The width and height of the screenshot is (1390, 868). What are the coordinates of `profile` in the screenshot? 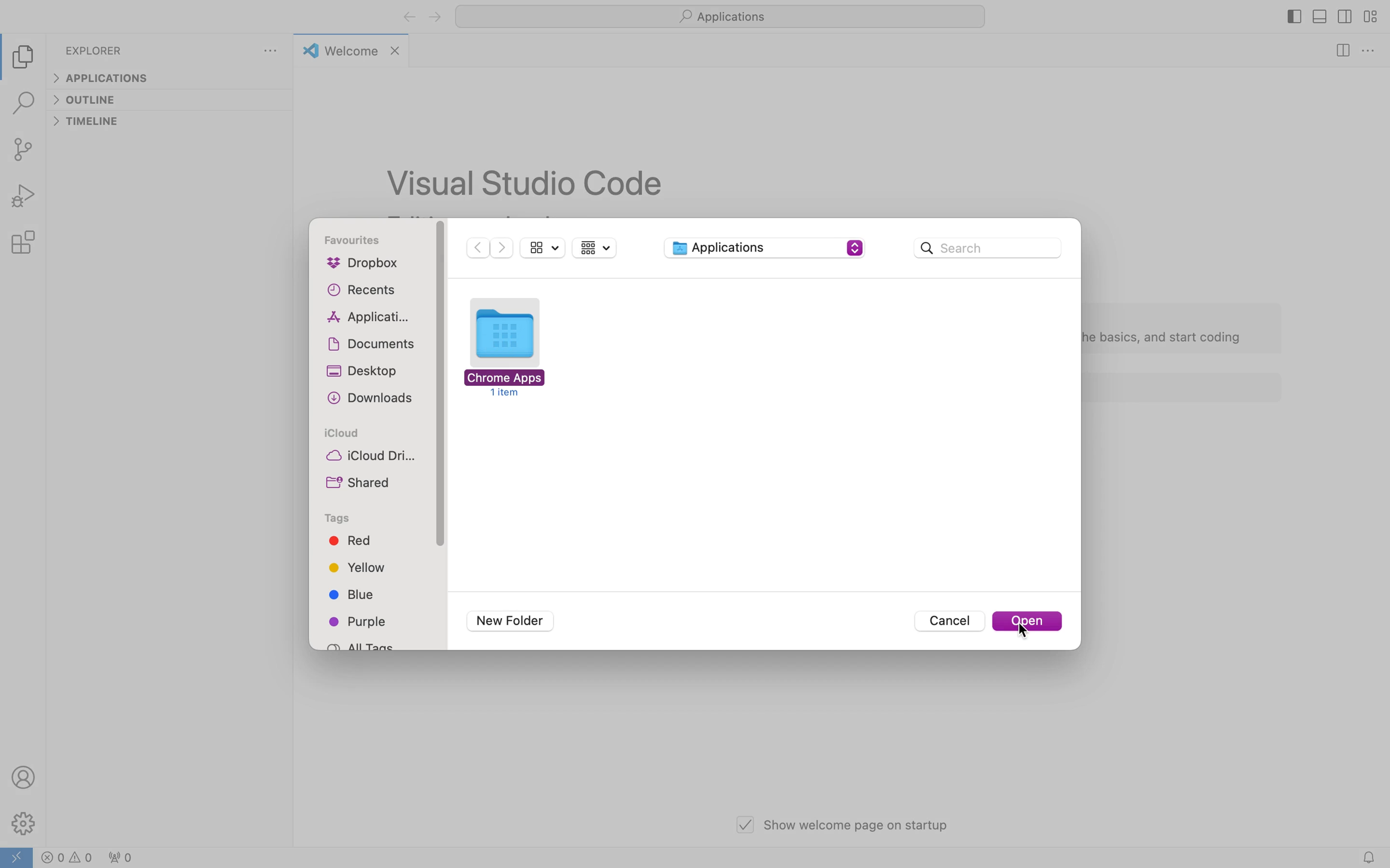 It's located at (23, 776).